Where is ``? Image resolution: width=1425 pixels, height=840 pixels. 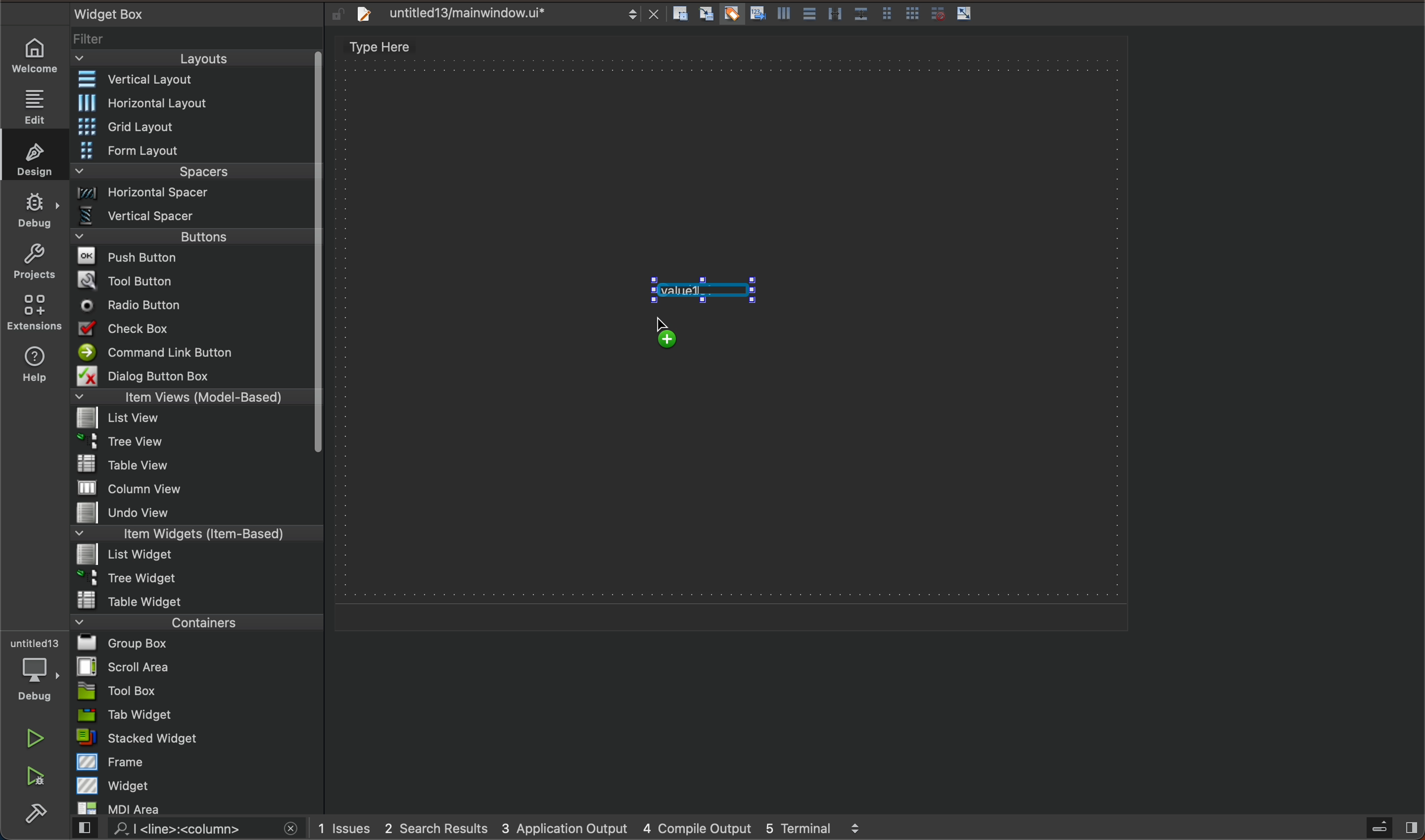
 is located at coordinates (194, 152).